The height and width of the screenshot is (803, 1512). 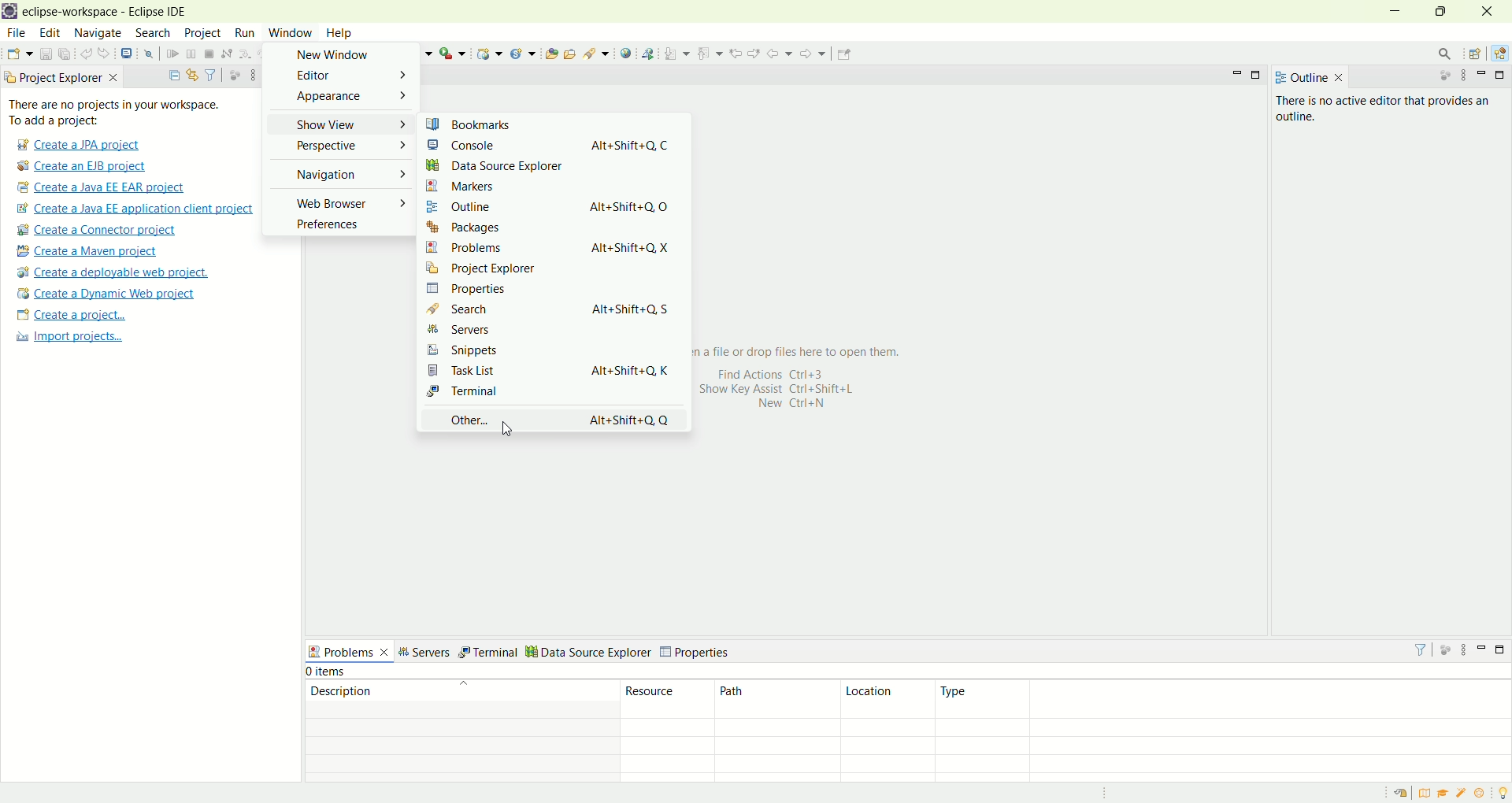 I want to click on overview, so click(x=1422, y=794).